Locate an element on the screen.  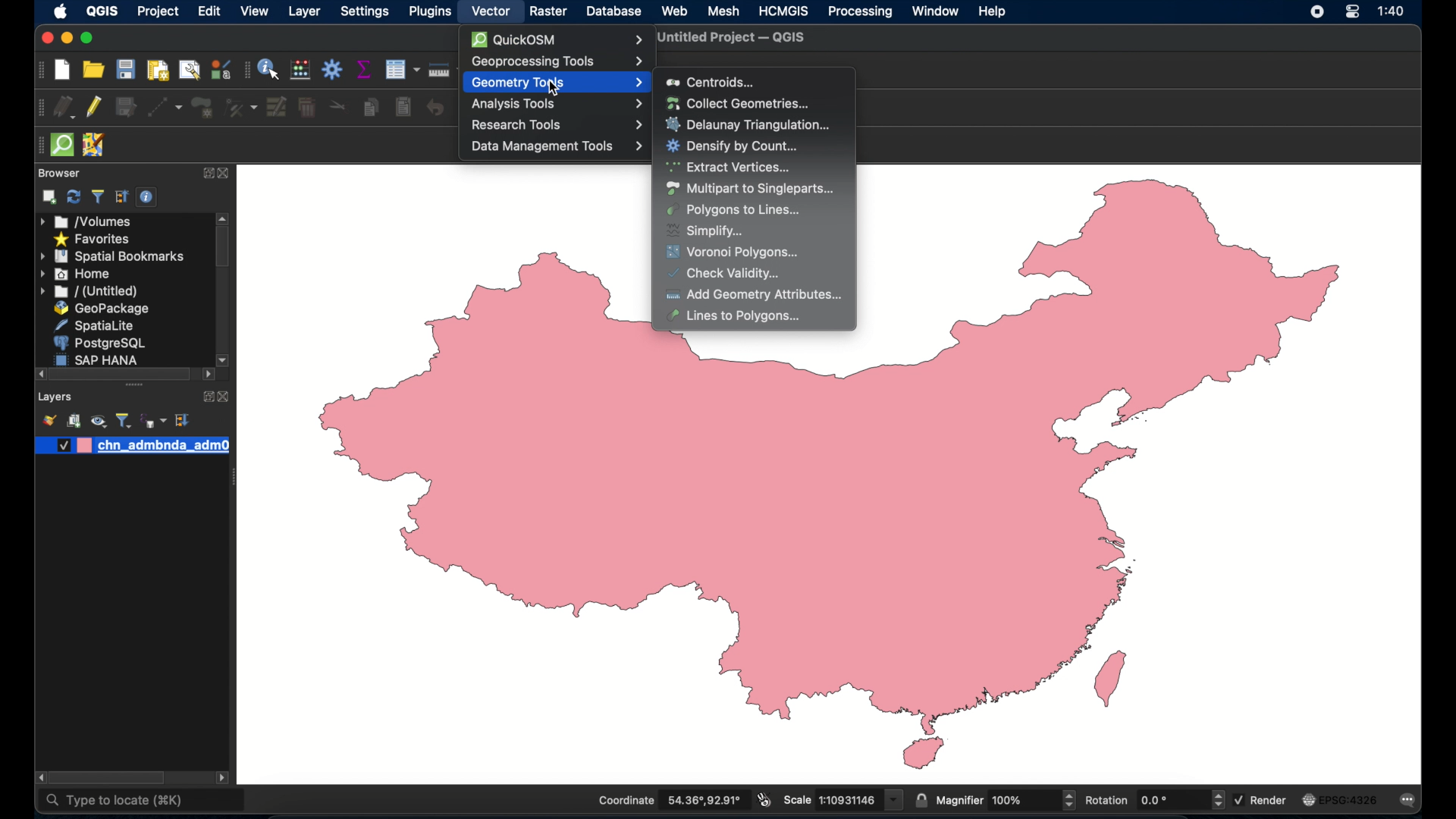
maximize is located at coordinates (89, 38).